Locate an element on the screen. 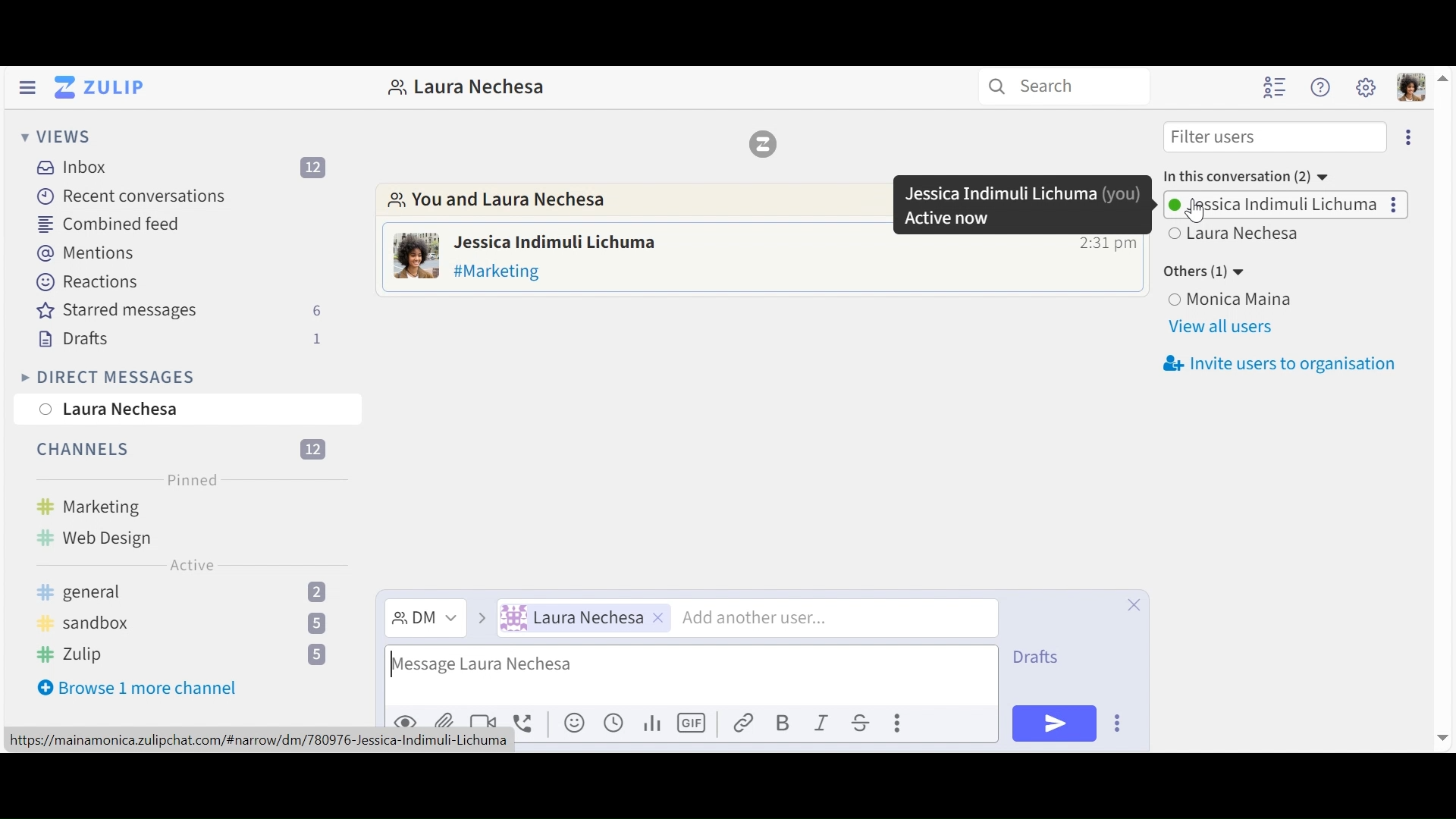 The height and width of the screenshot is (819, 1456). Active is located at coordinates (194, 566).